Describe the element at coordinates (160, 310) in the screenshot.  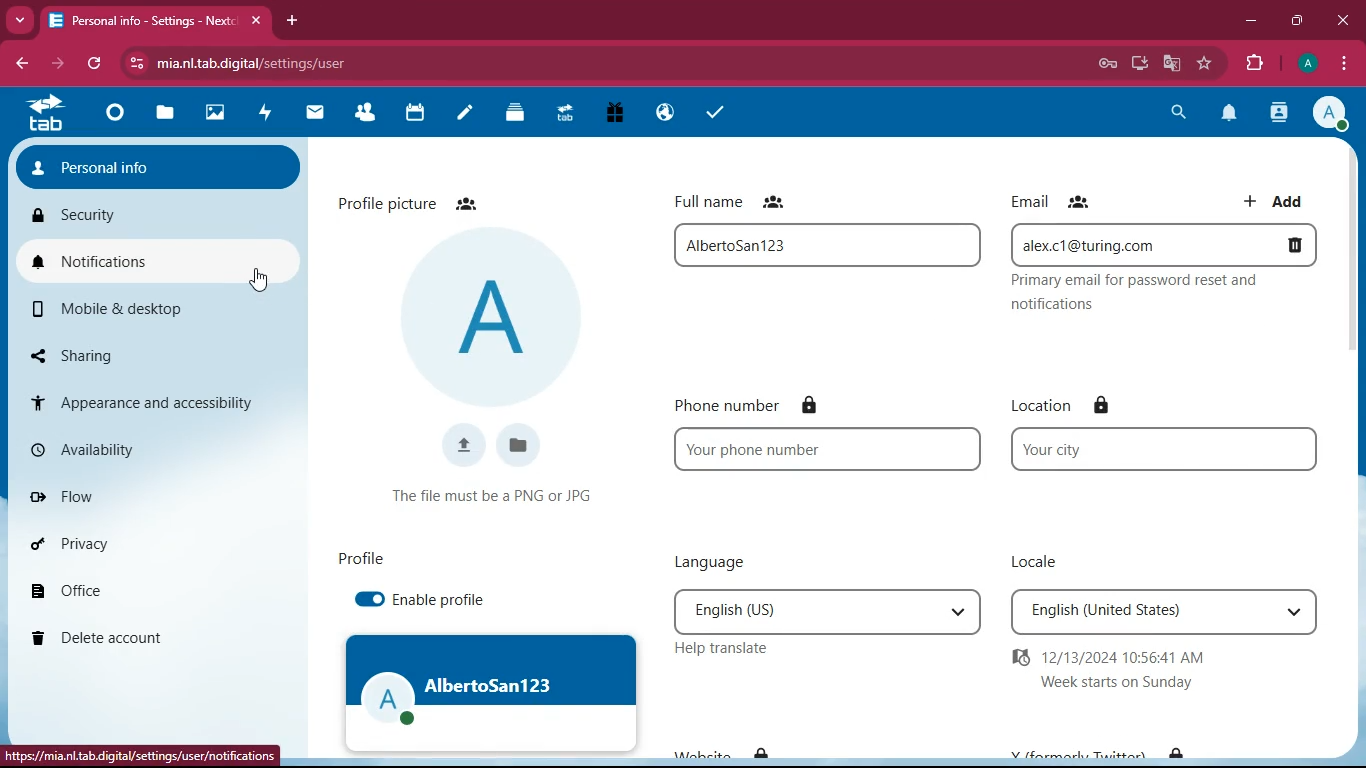
I see `mobile & desktop` at that location.